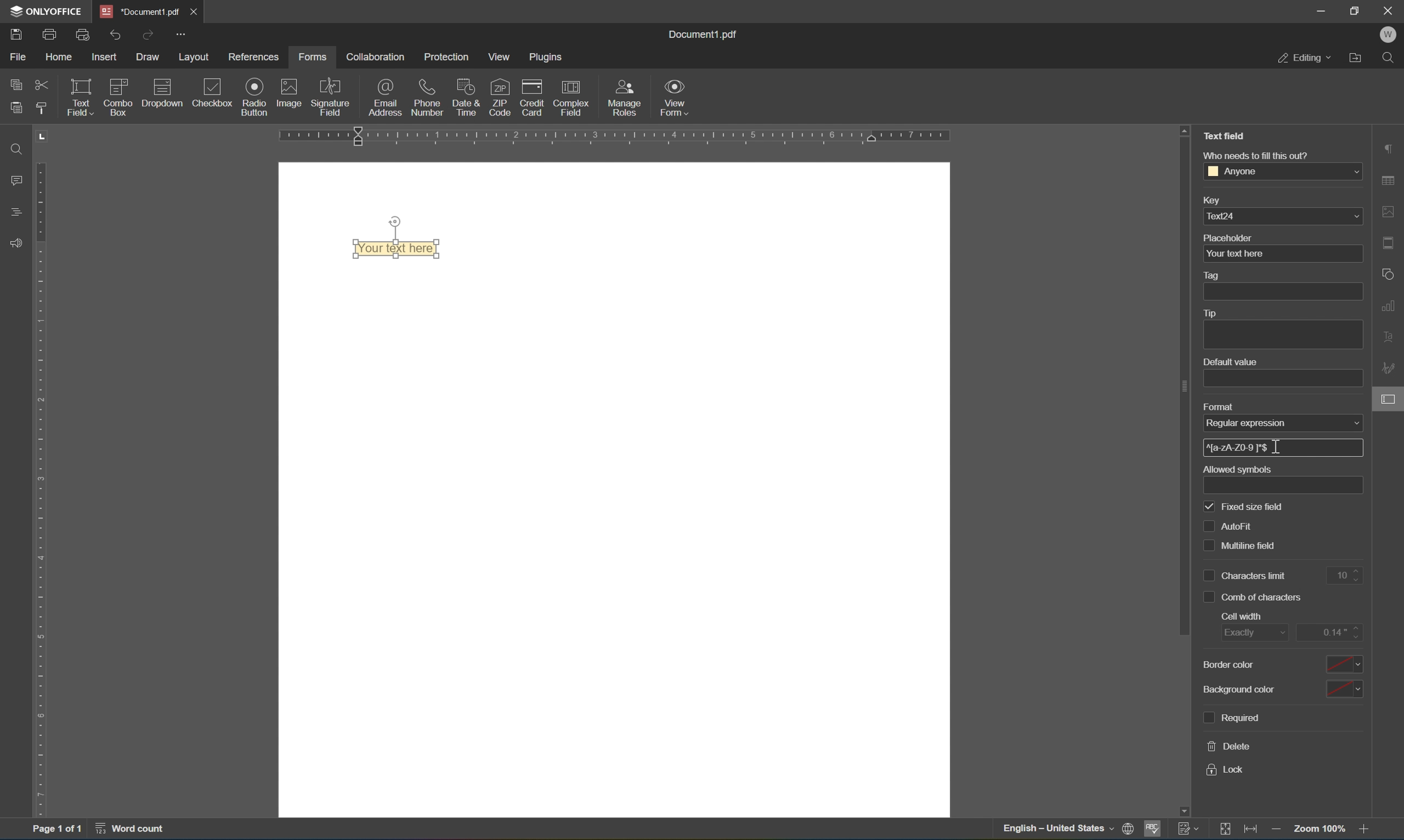 Image resolution: width=1404 pixels, height=840 pixels. Describe the element at coordinates (1359, 57) in the screenshot. I see `open file location` at that location.